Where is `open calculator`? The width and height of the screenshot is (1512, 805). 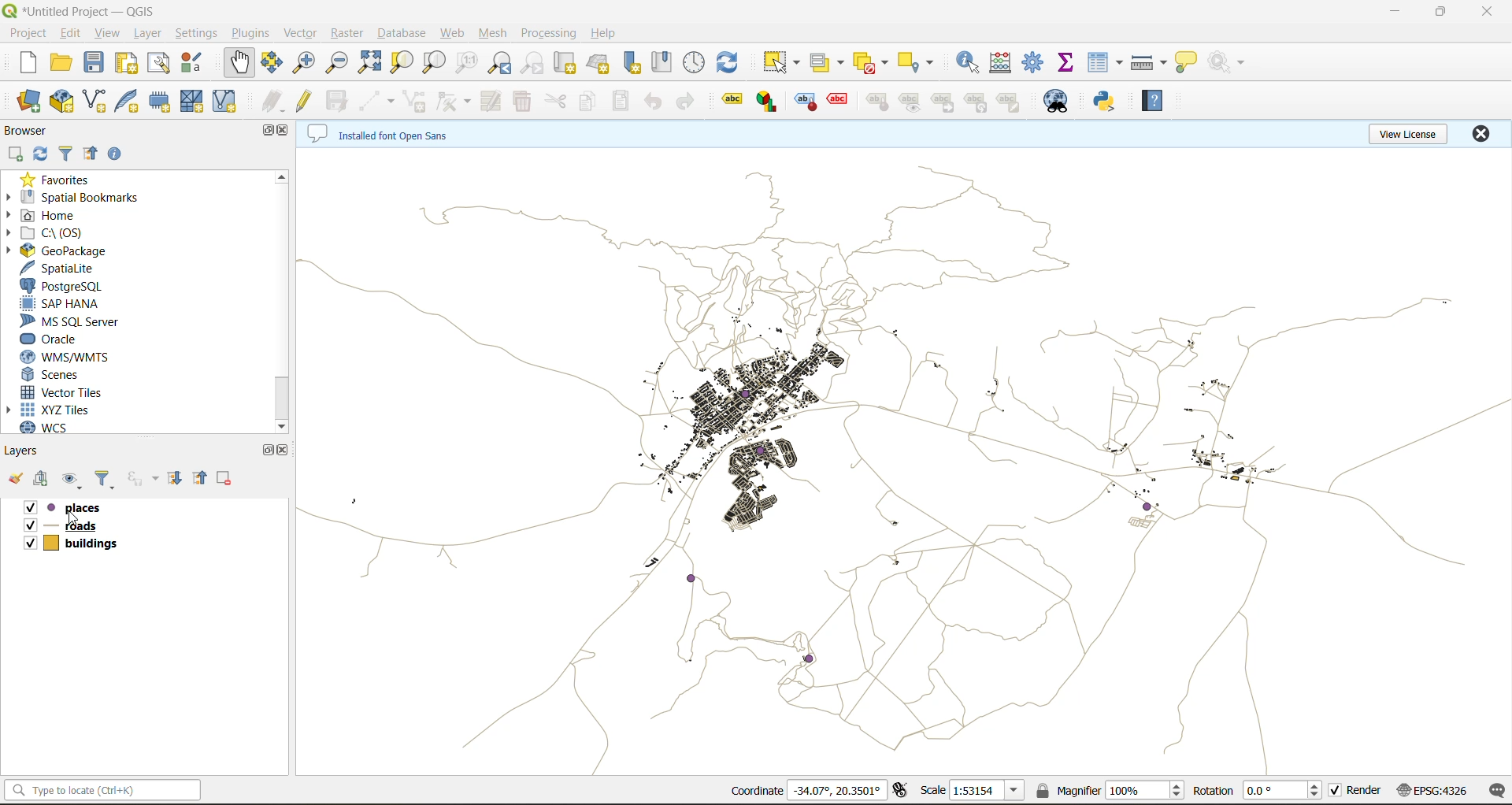 open calculator is located at coordinates (1005, 61).